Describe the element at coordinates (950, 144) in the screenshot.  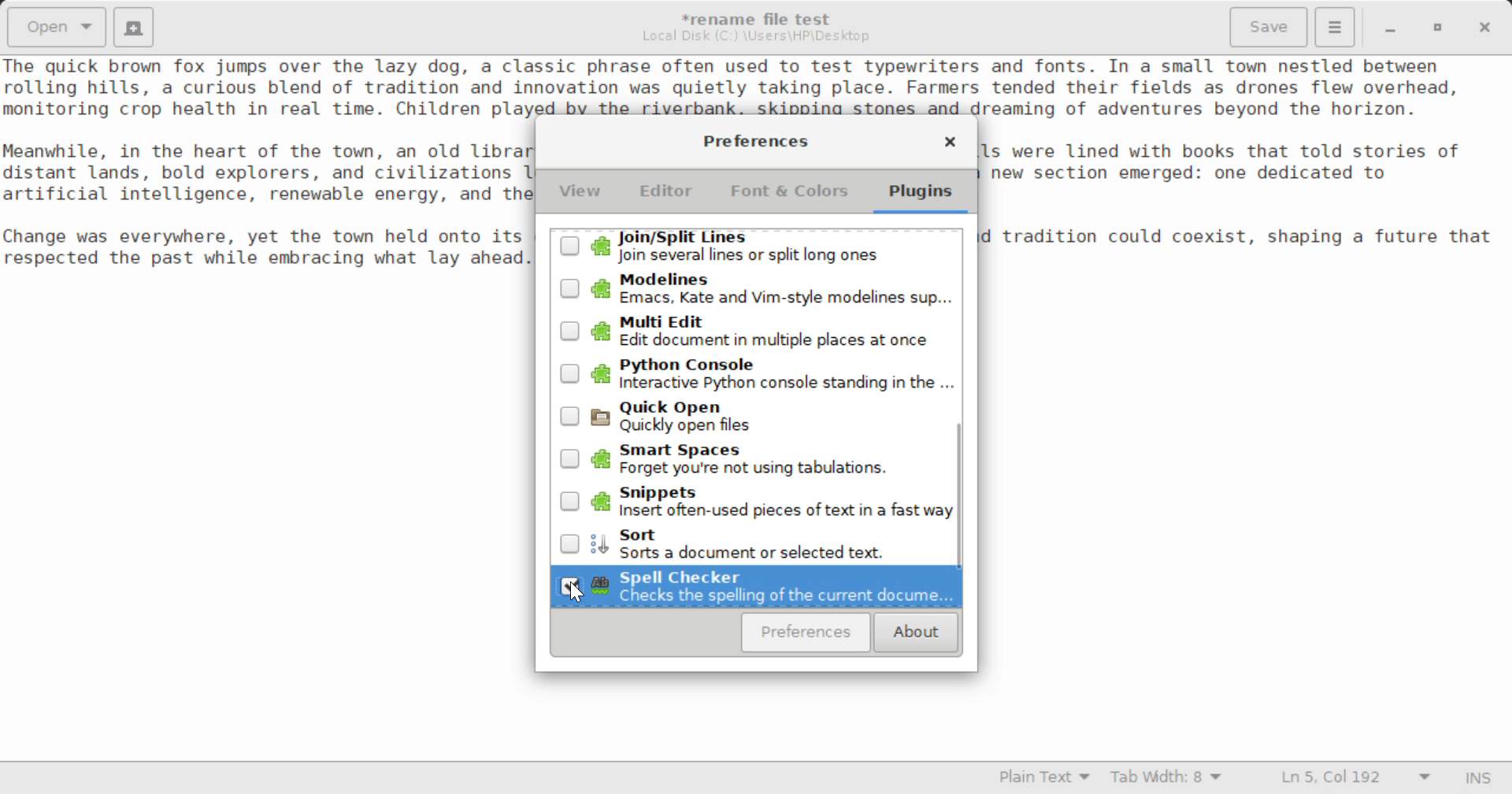
I see `Close Window` at that location.